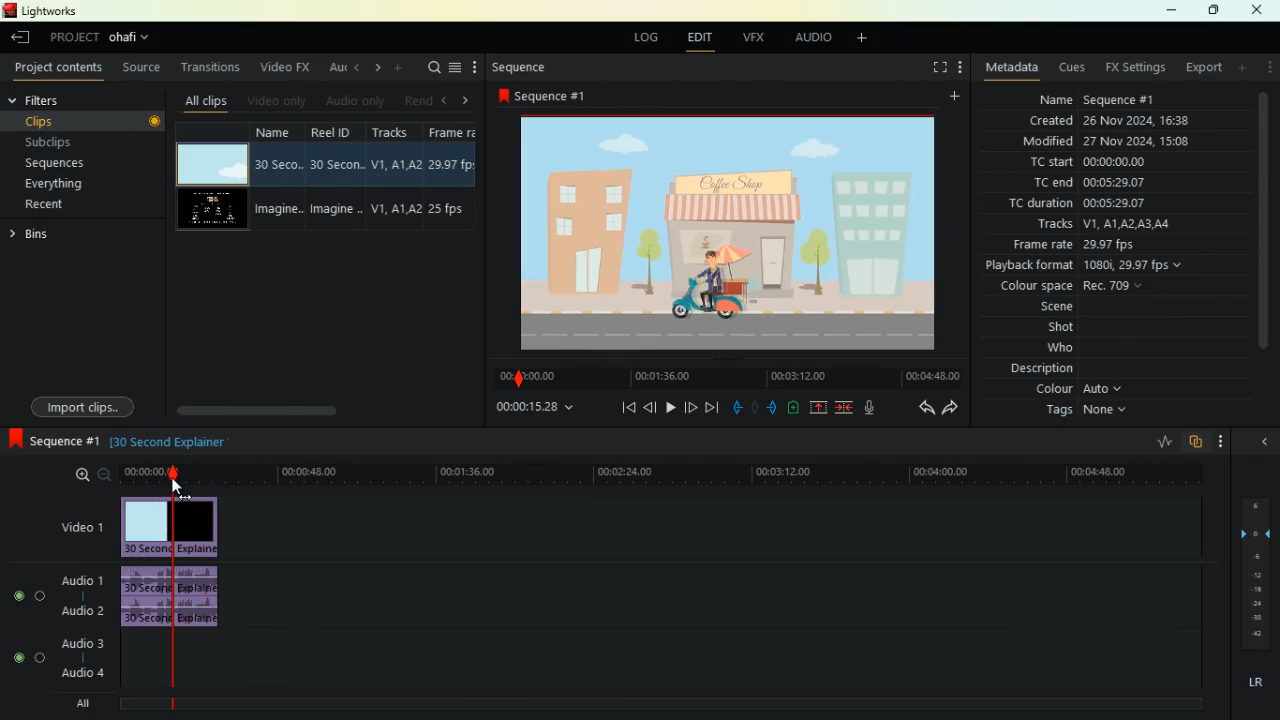 The image size is (1280, 720). What do you see at coordinates (860, 39) in the screenshot?
I see `add` at bounding box center [860, 39].